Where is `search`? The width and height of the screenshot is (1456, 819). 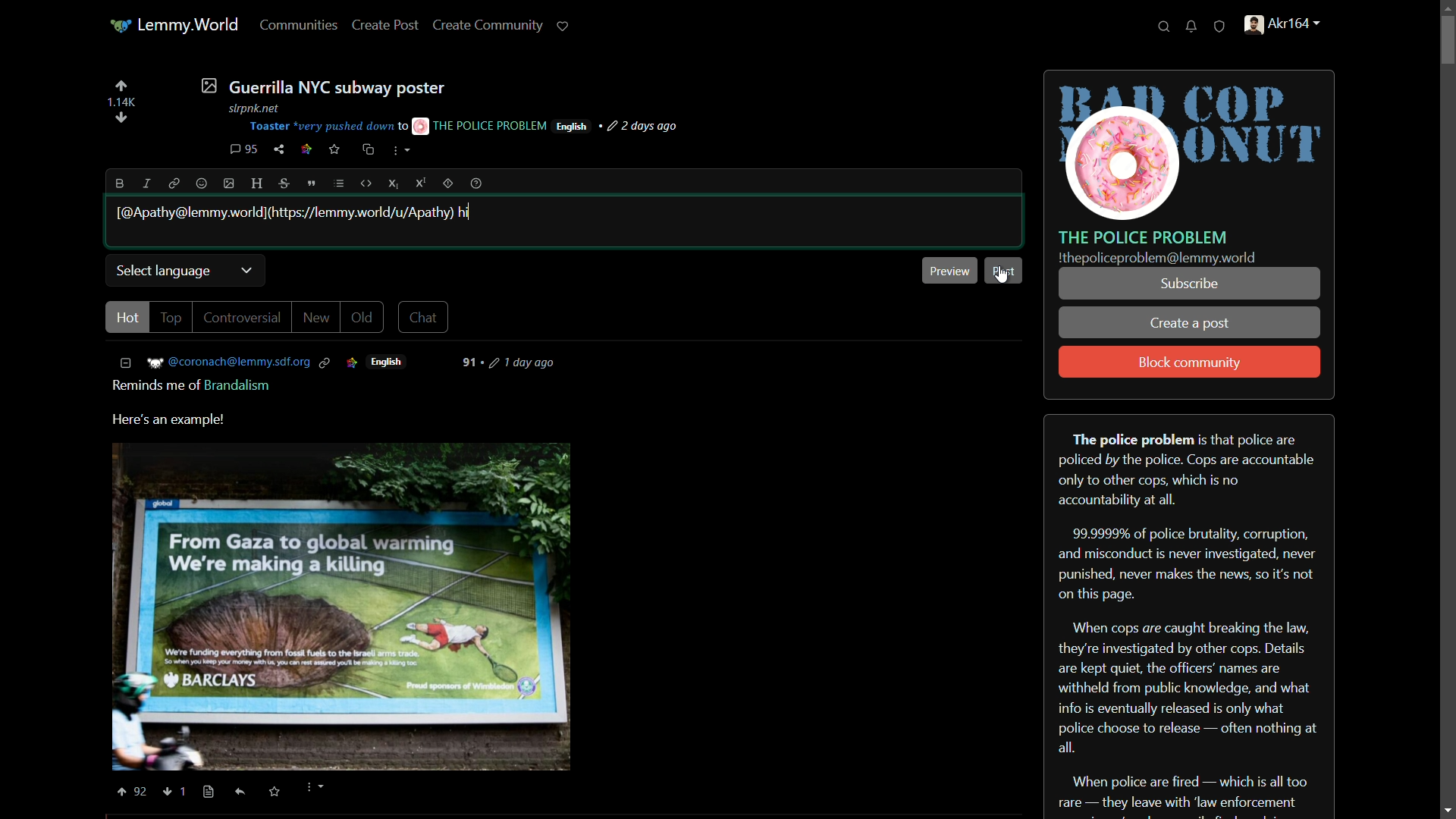 search is located at coordinates (1164, 27).